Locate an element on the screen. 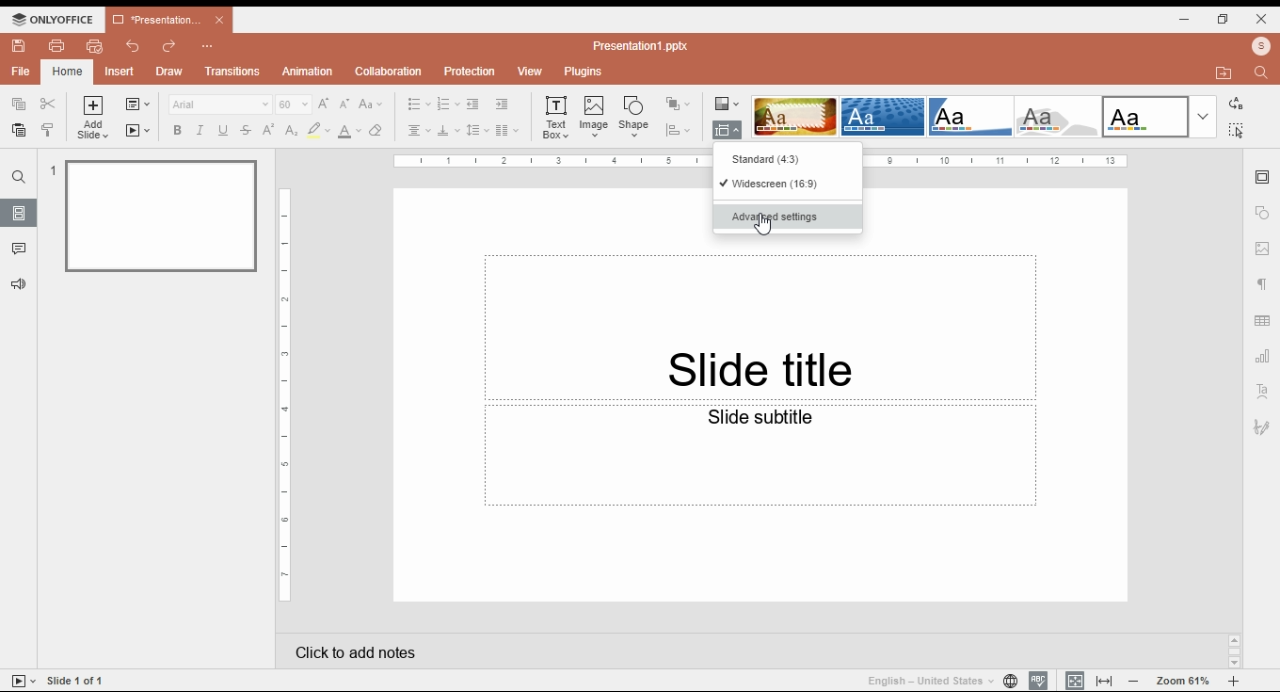 This screenshot has height=692, width=1280. draw is located at coordinates (171, 71).